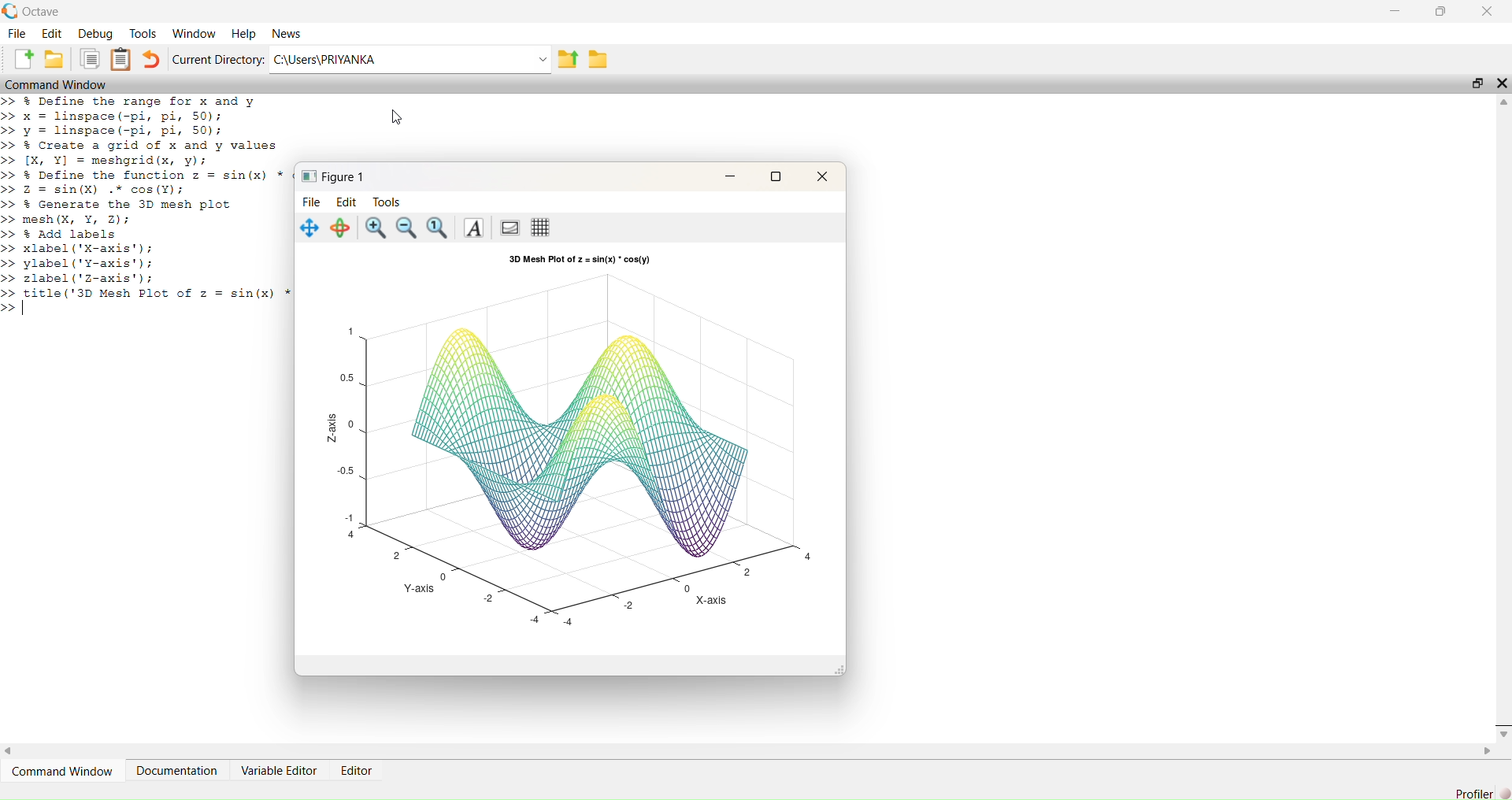  What do you see at coordinates (1479, 83) in the screenshot?
I see `Restore` at bounding box center [1479, 83].